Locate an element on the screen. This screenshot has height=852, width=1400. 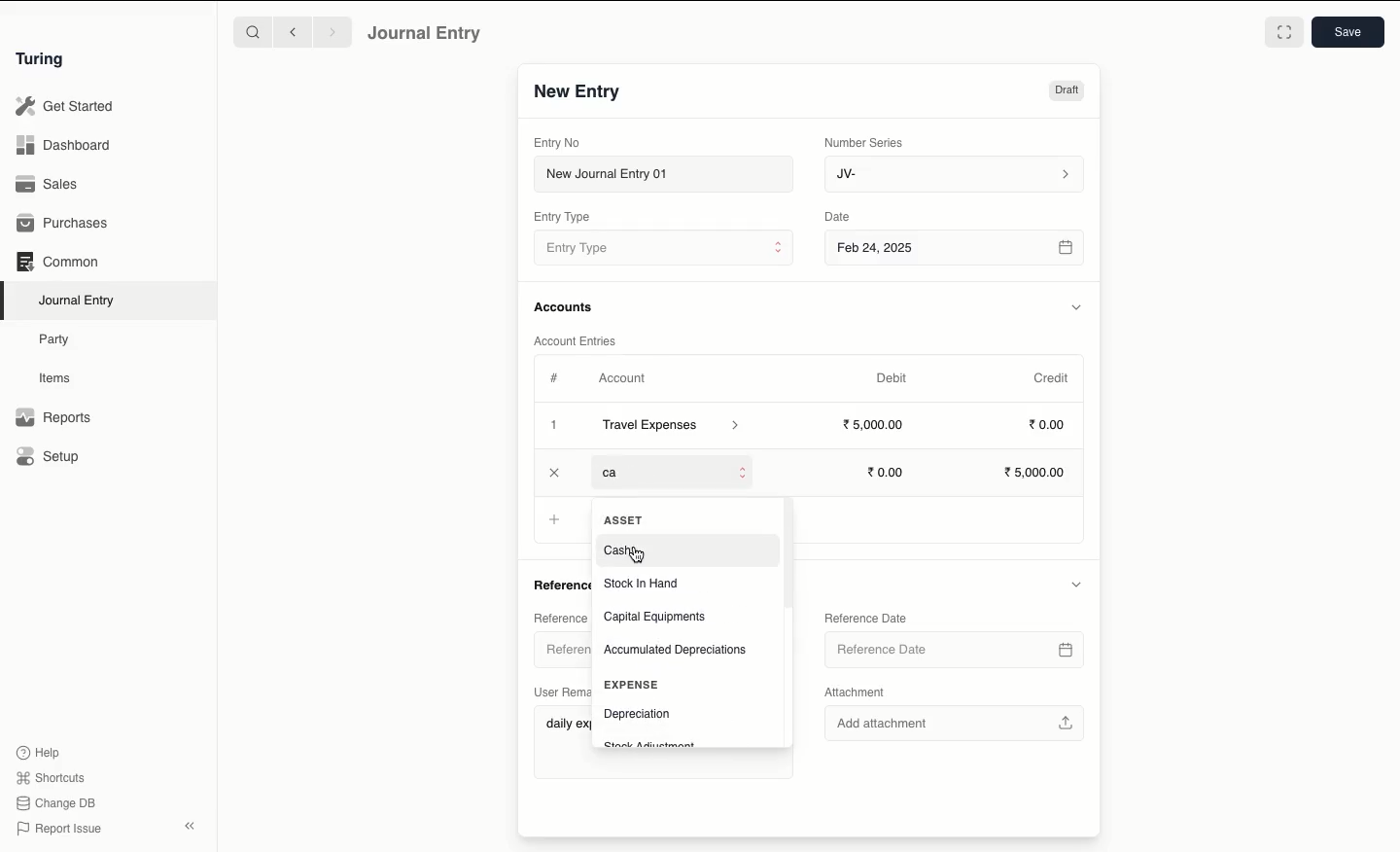
Items is located at coordinates (55, 377).